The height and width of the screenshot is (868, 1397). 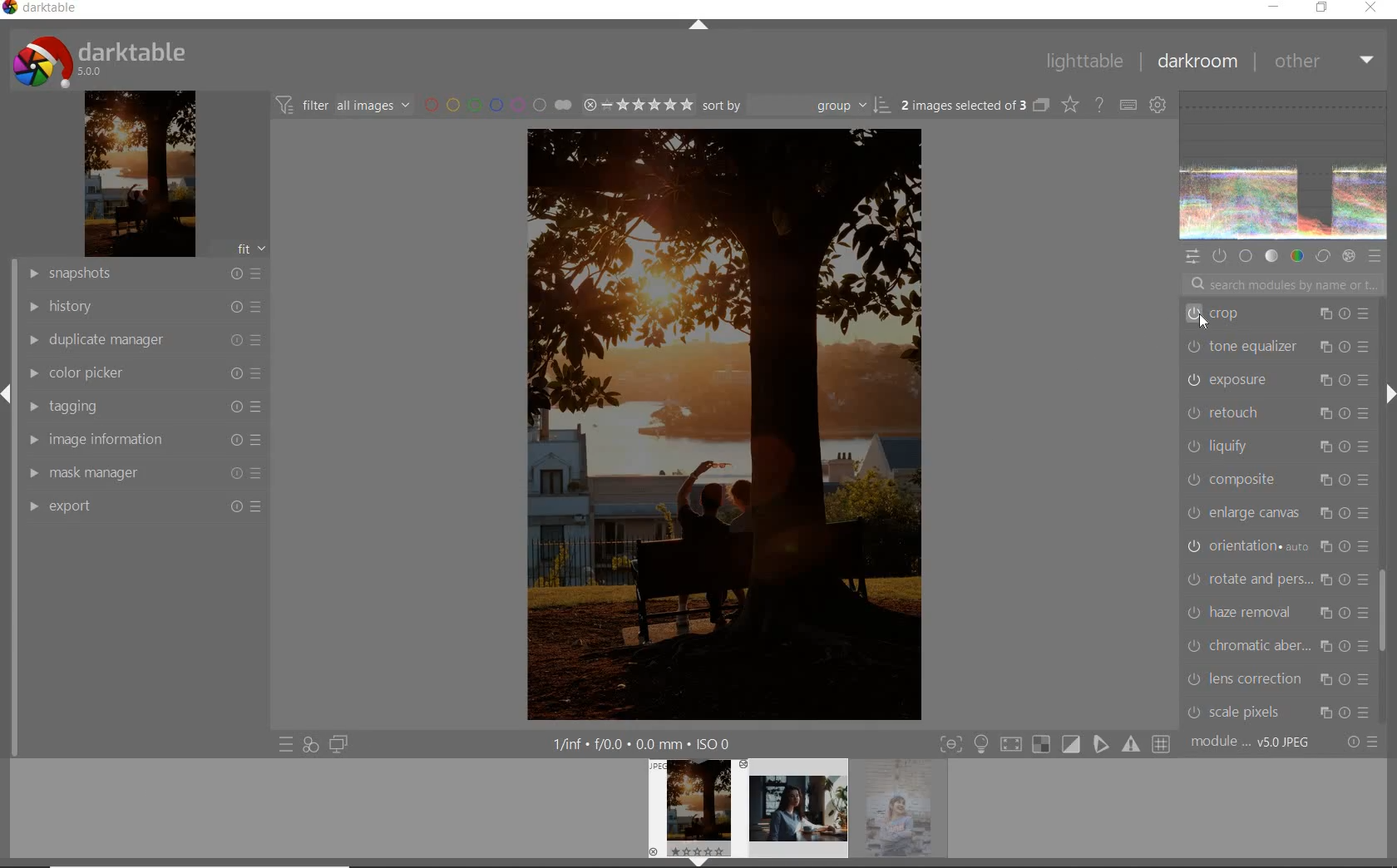 I want to click on darkroom, so click(x=1197, y=62).